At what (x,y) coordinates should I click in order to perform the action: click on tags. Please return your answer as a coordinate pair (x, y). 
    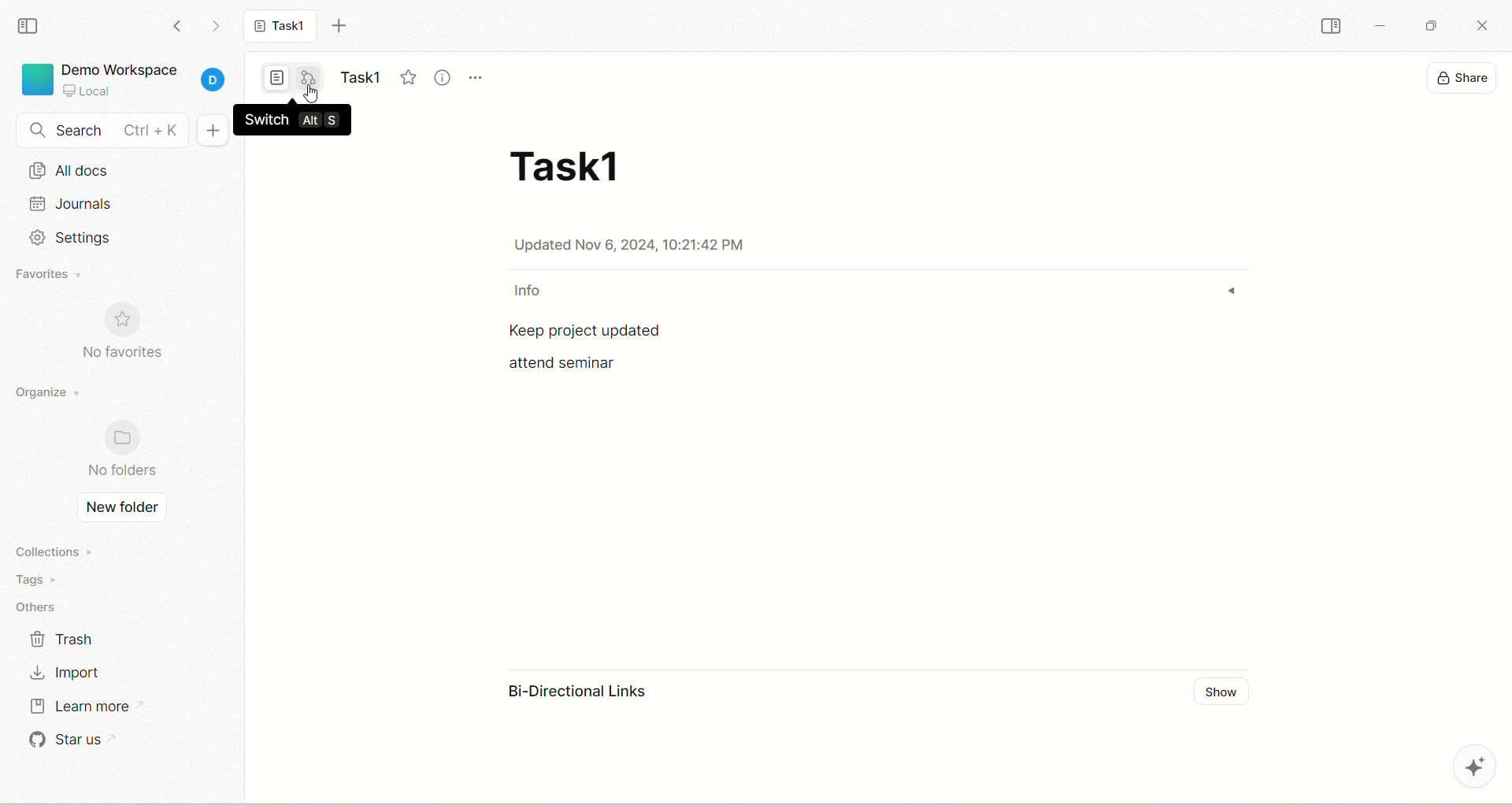
    Looking at the image, I should click on (46, 580).